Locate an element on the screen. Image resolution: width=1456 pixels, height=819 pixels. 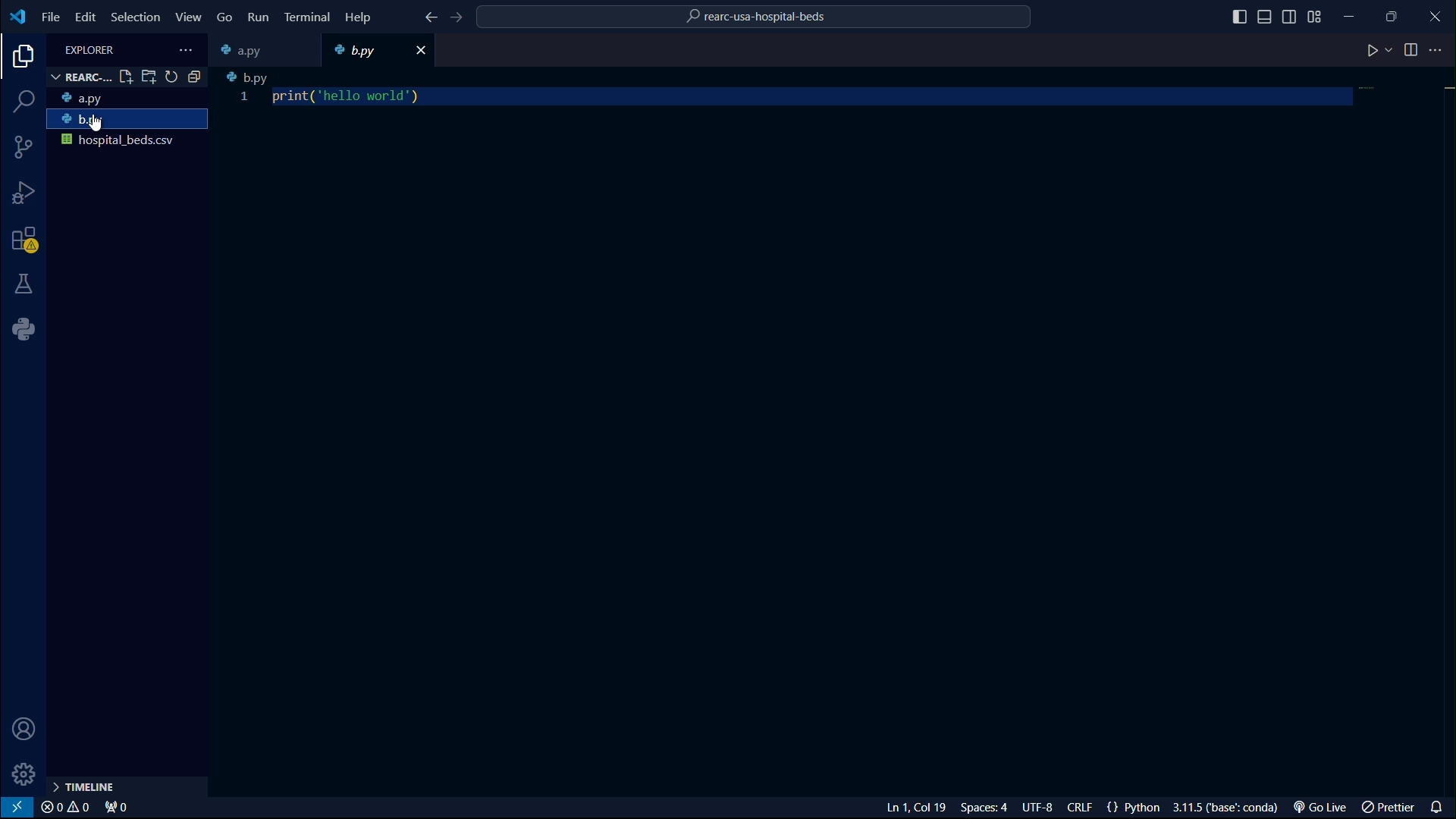
extensions is located at coordinates (24, 240).